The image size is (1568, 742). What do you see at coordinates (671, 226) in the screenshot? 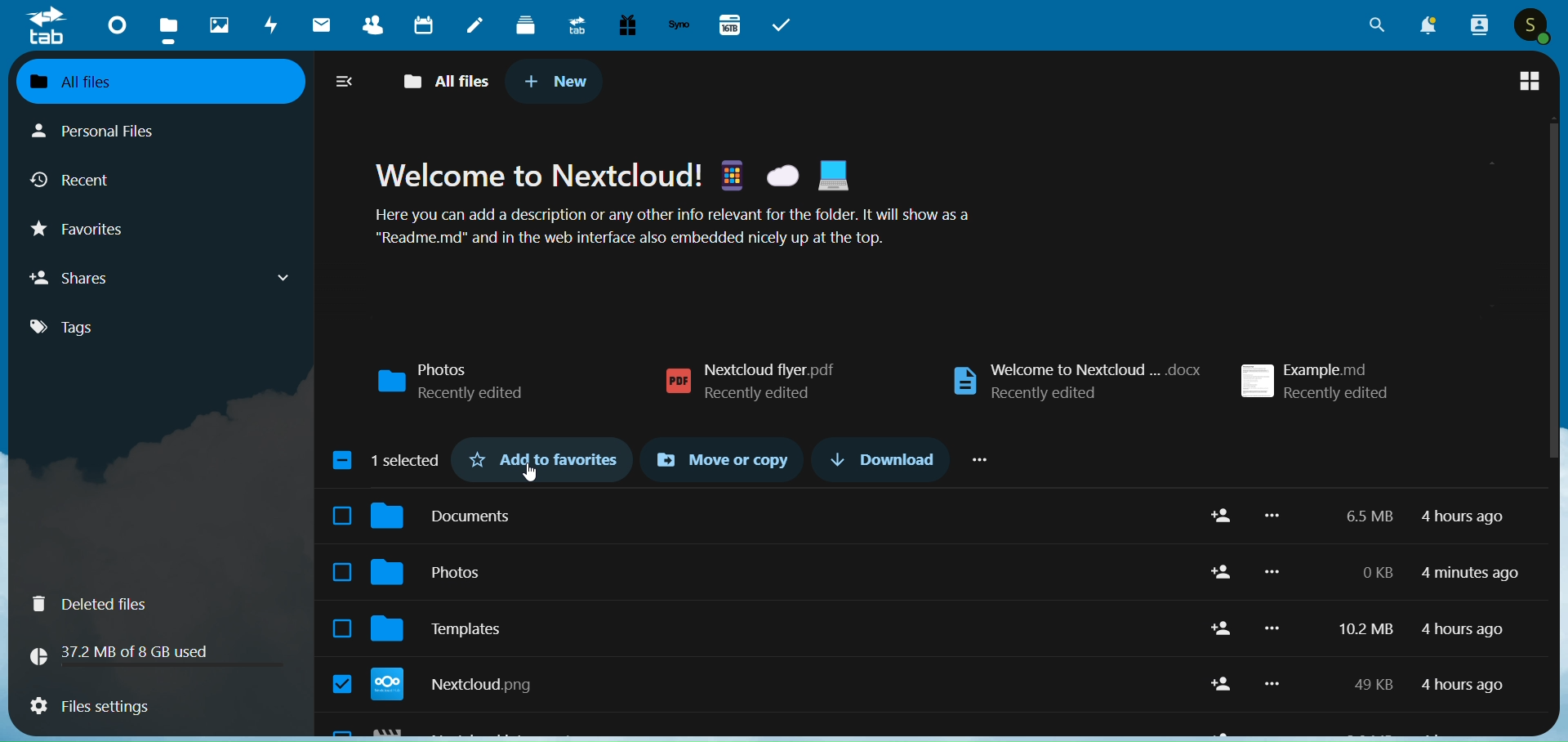
I see `Here you can add a description or any other info relevant for the folder. It will show as a "Readme.md" and in the web interface also embedded nicely up at the top.` at bounding box center [671, 226].